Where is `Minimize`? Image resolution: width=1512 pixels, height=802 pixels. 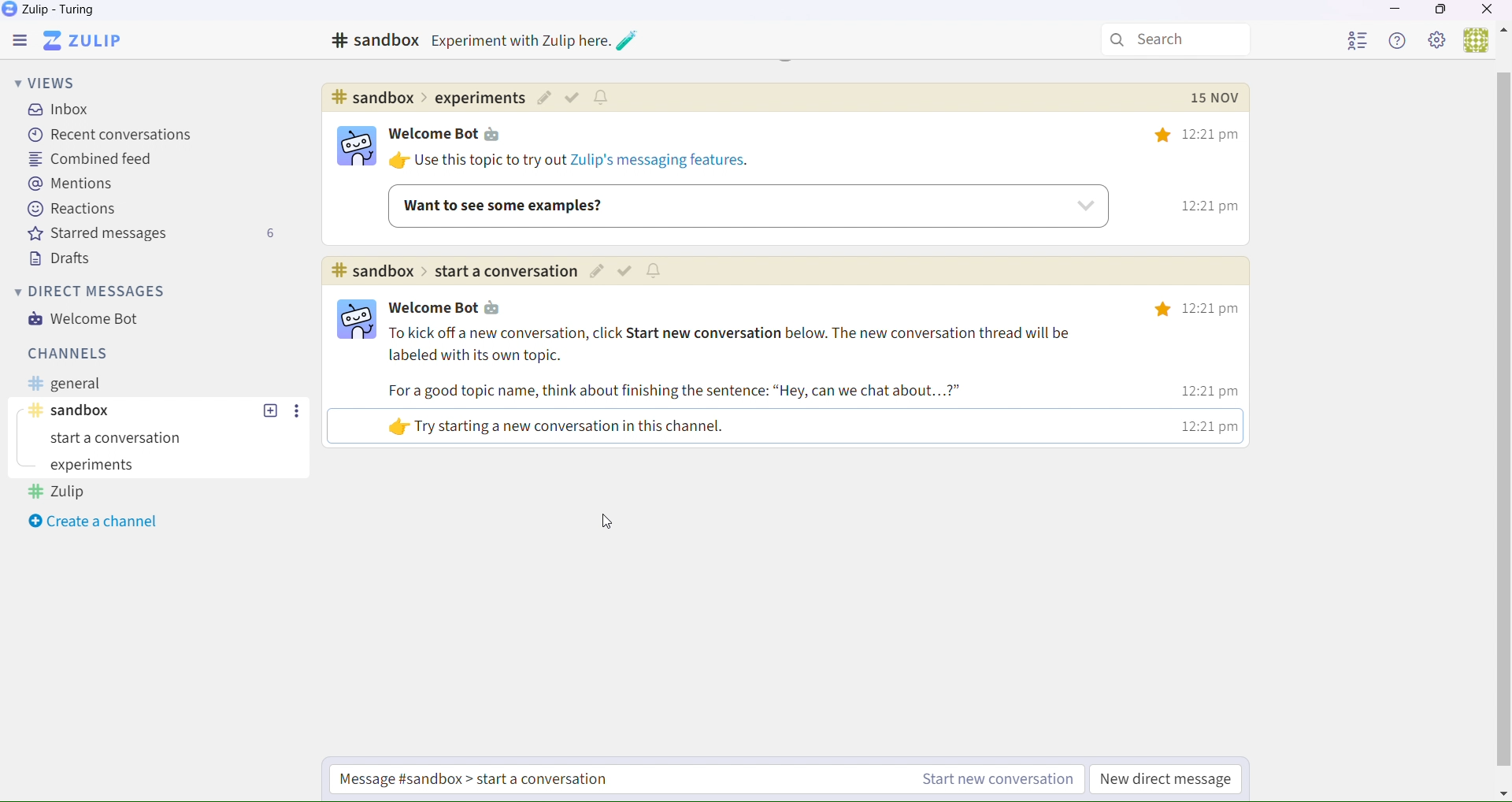
Minimize is located at coordinates (1395, 12).